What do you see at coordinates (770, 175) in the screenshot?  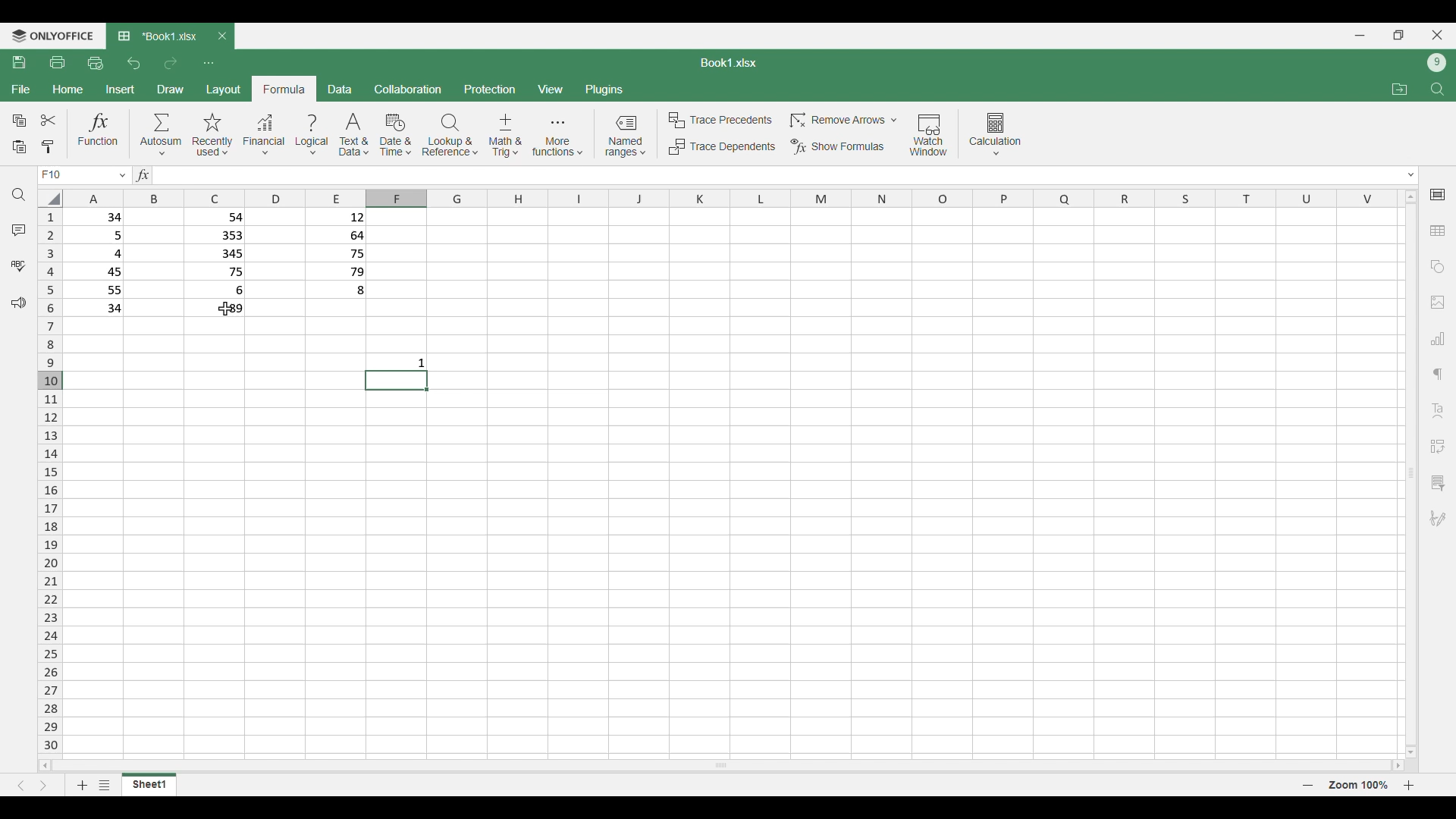 I see `Type in equation` at bounding box center [770, 175].